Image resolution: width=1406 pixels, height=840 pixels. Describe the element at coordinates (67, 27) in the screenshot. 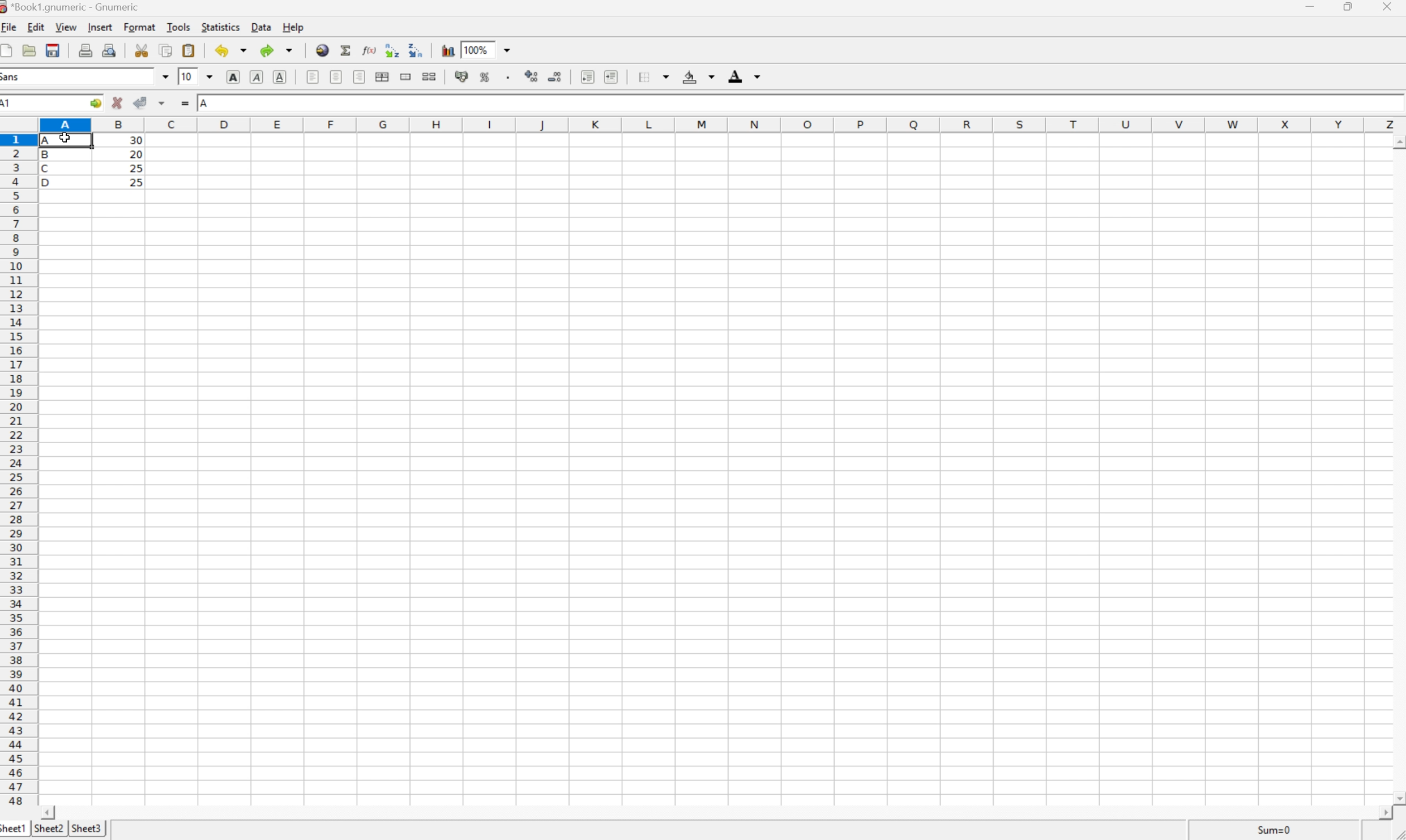

I see `View` at that location.